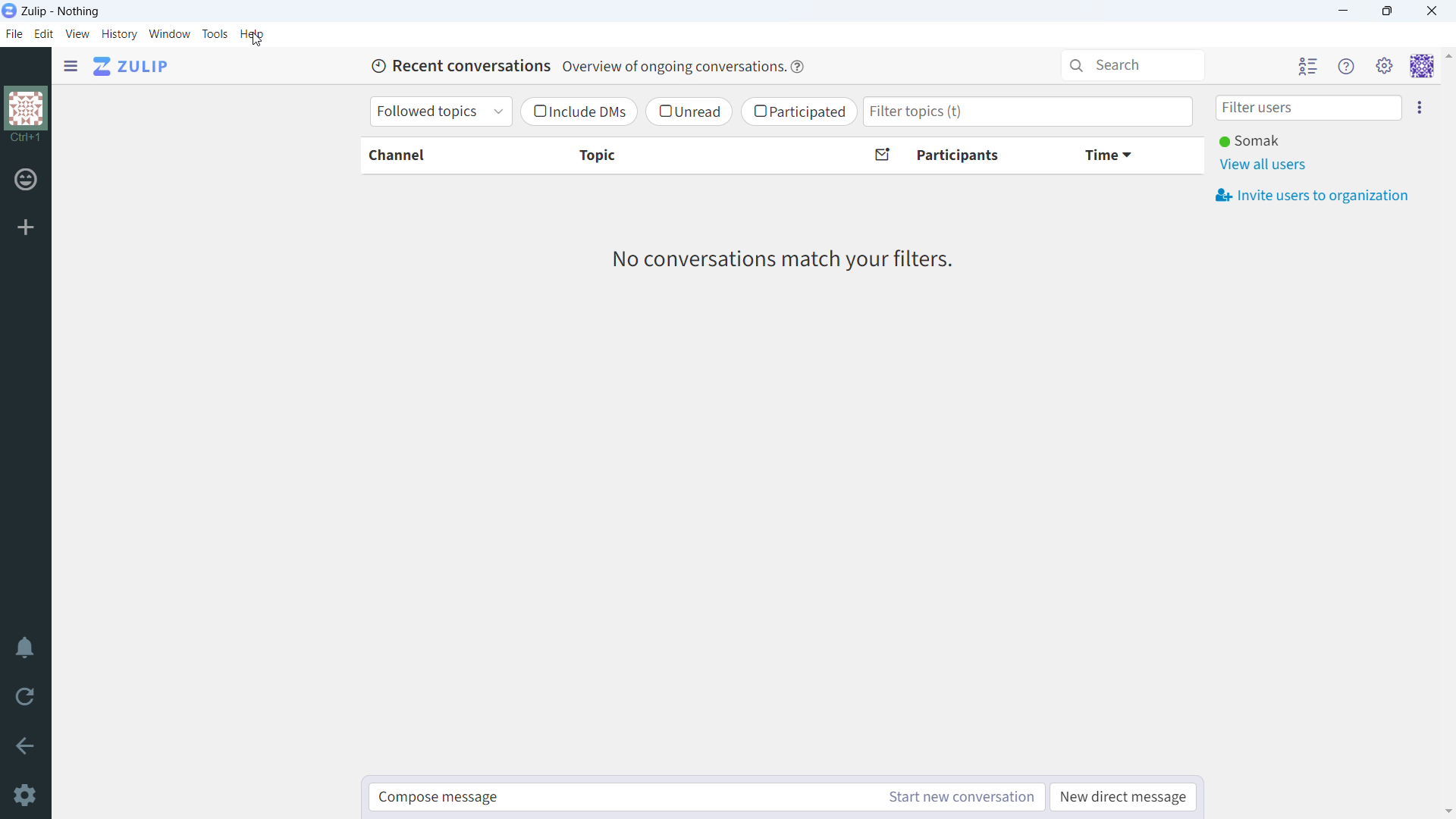  I want to click on options to invite users, so click(1423, 107).